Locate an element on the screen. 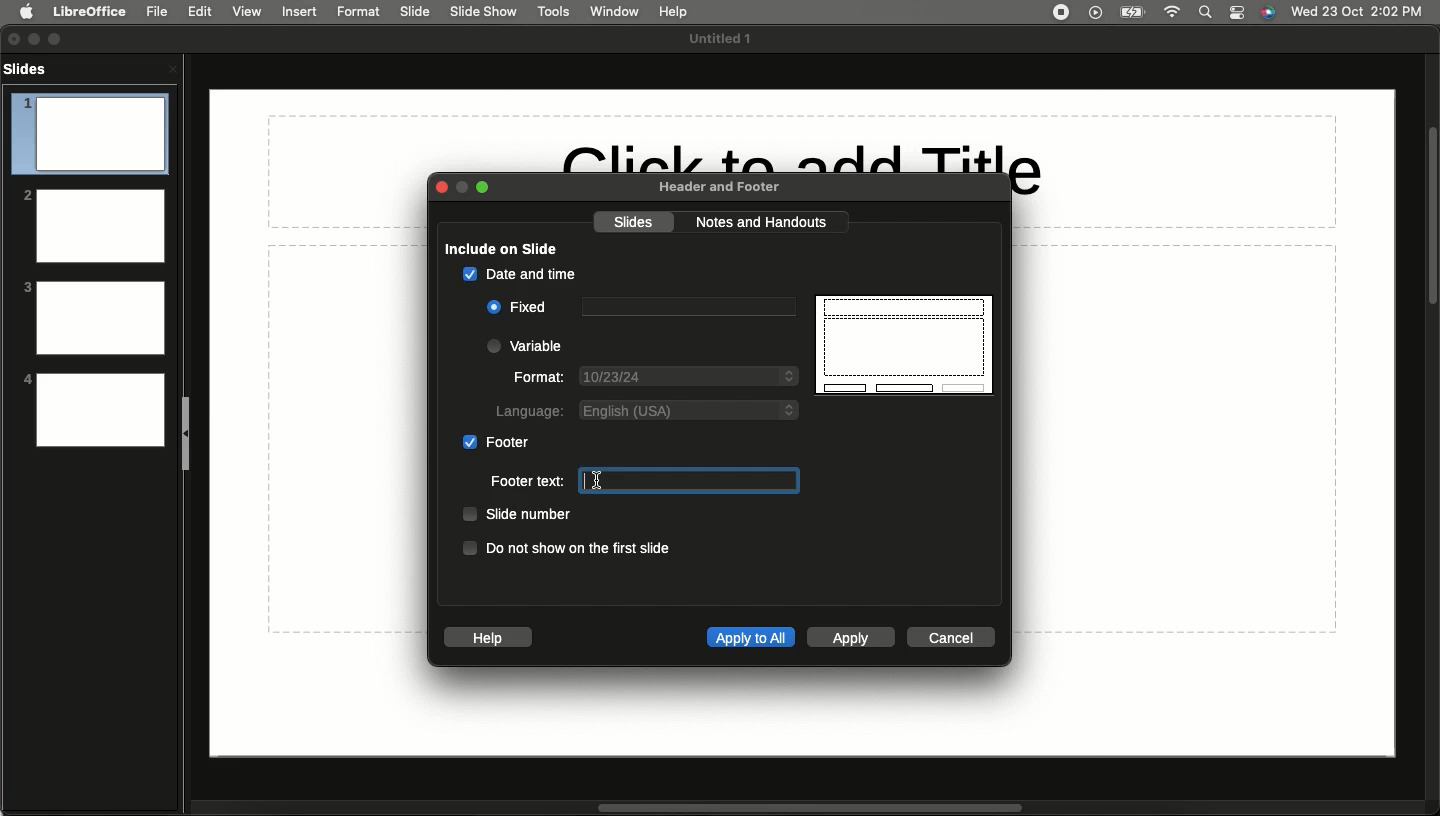  Video player is located at coordinates (1094, 14).